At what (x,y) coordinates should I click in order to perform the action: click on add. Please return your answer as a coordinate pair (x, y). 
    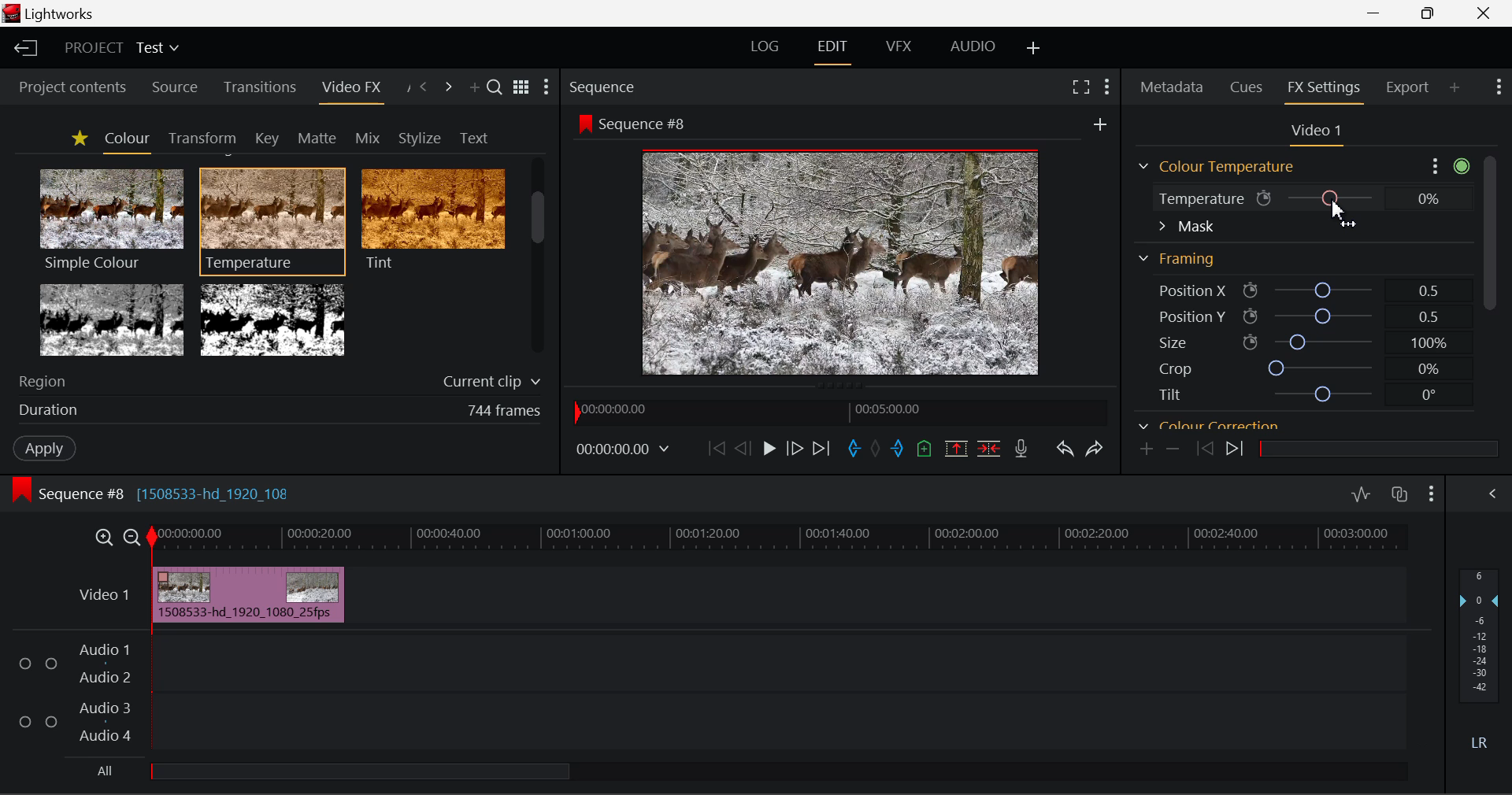
    Looking at the image, I should click on (1099, 124).